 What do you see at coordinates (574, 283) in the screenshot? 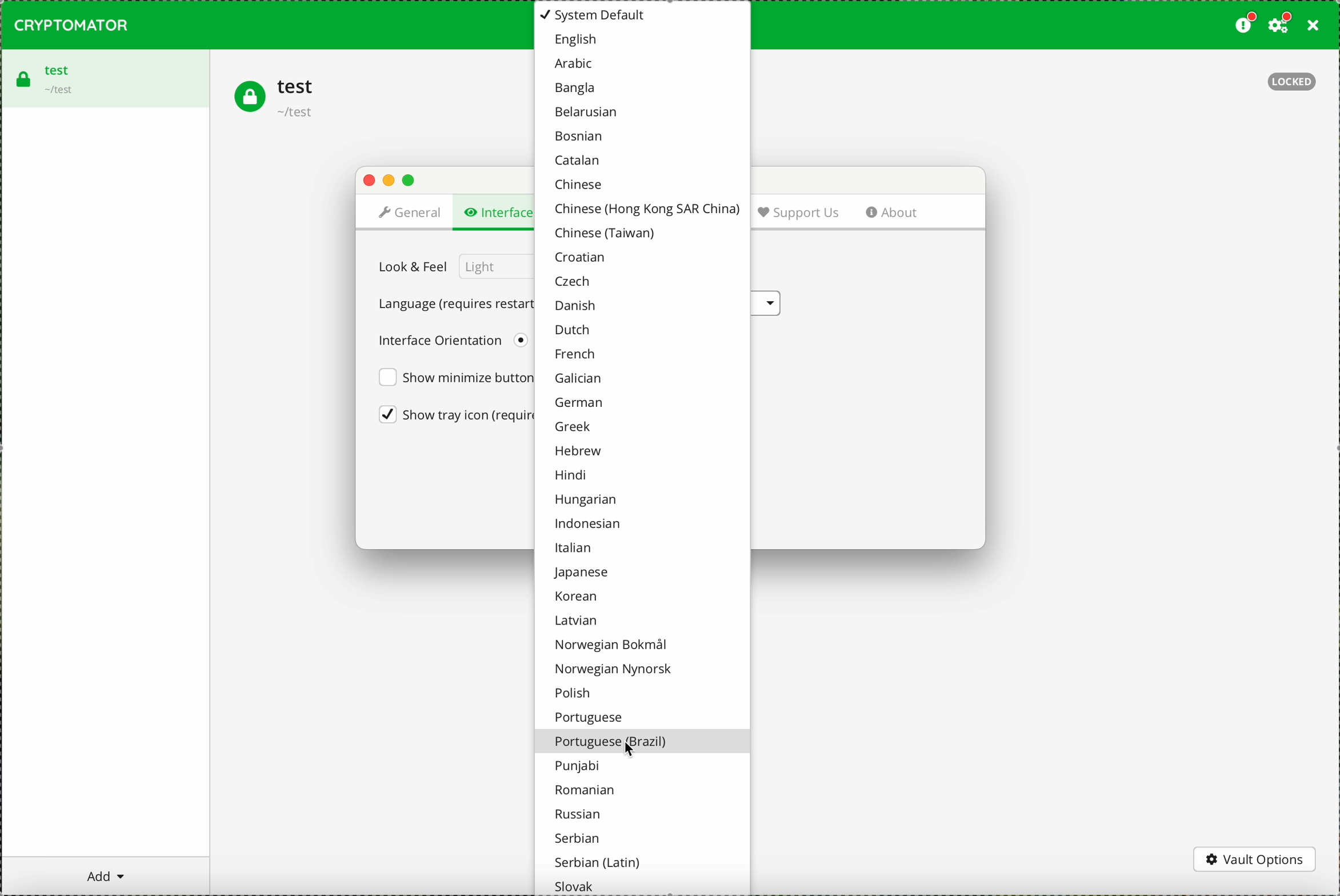
I see `czech` at bounding box center [574, 283].